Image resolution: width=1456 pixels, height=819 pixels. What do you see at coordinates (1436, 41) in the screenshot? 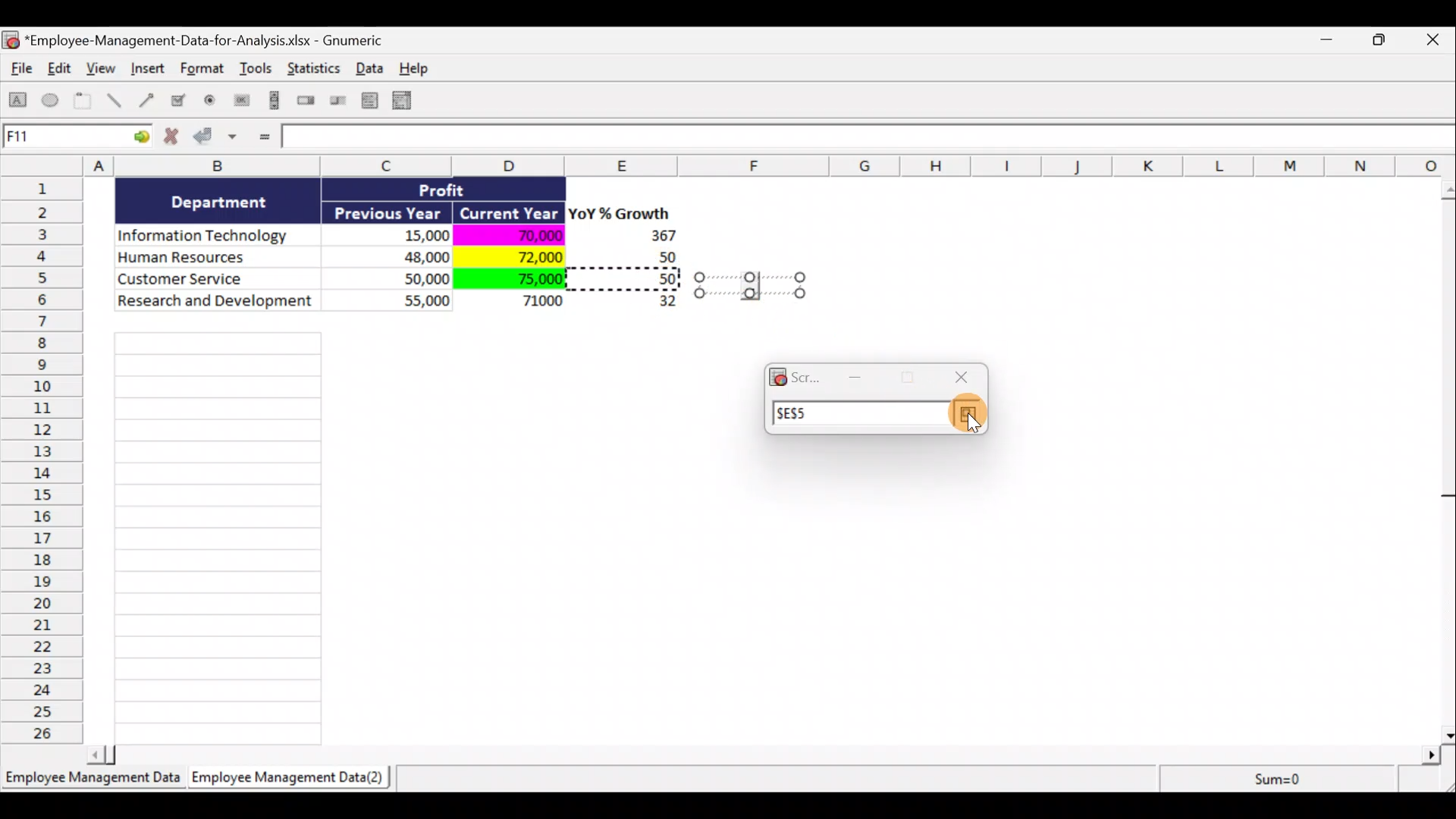
I see `Close` at bounding box center [1436, 41].